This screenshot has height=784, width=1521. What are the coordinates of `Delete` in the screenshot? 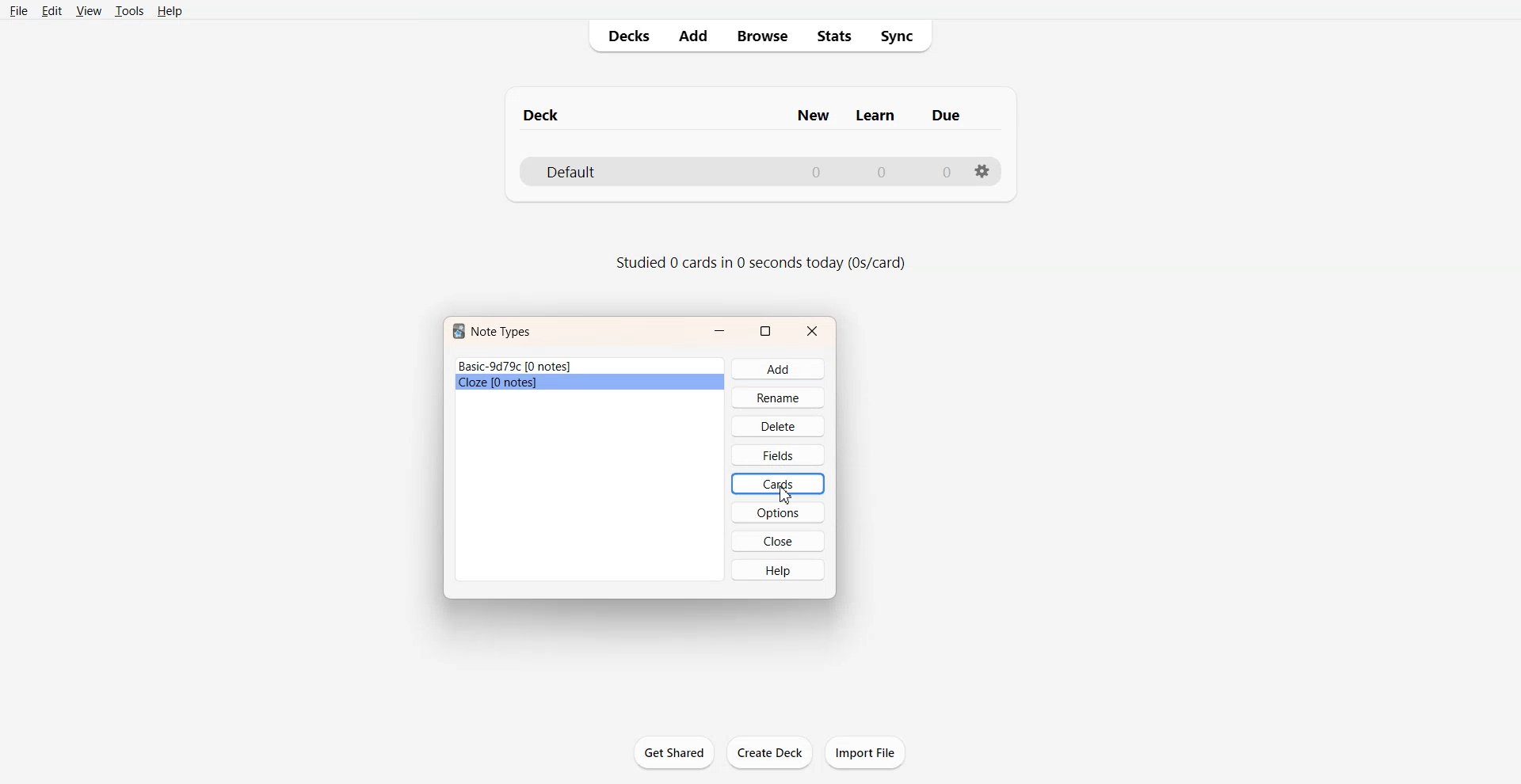 It's located at (778, 426).